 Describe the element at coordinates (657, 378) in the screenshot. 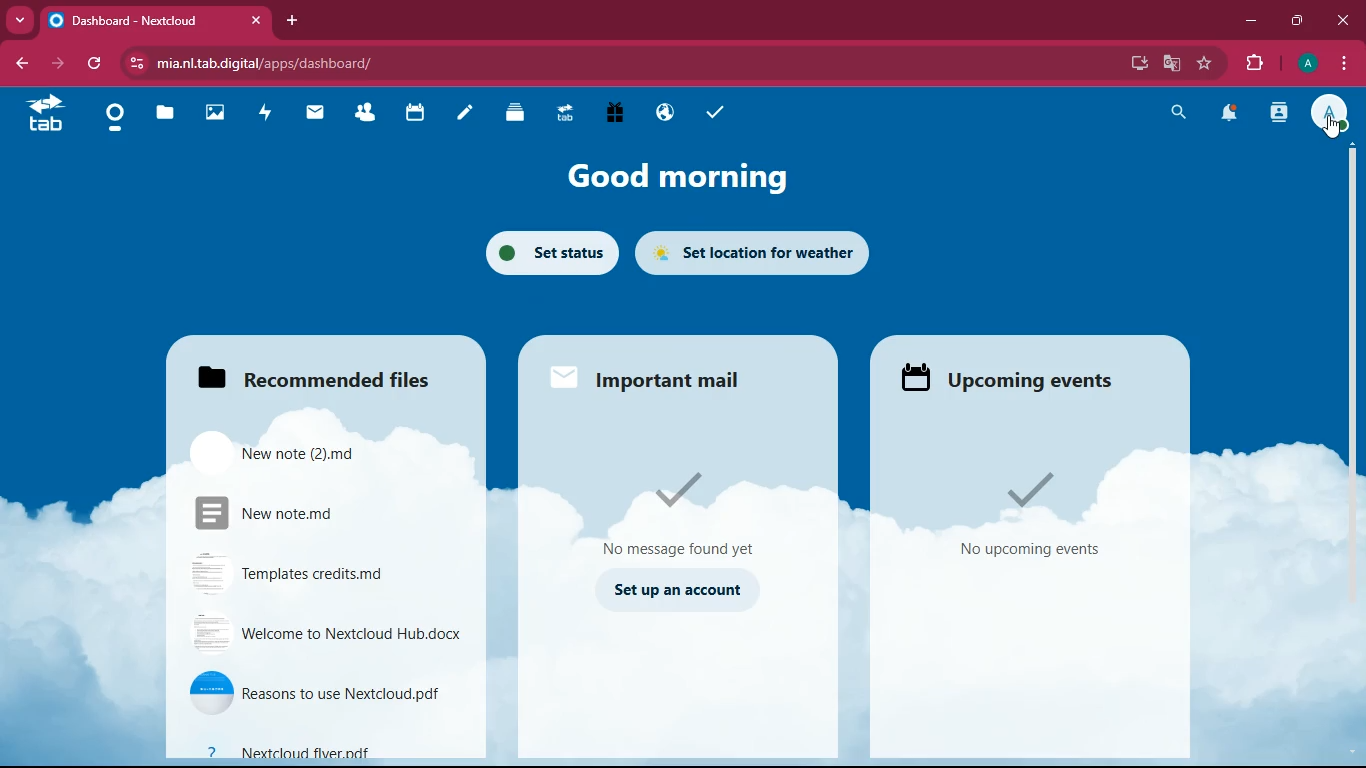

I see `mail` at that location.